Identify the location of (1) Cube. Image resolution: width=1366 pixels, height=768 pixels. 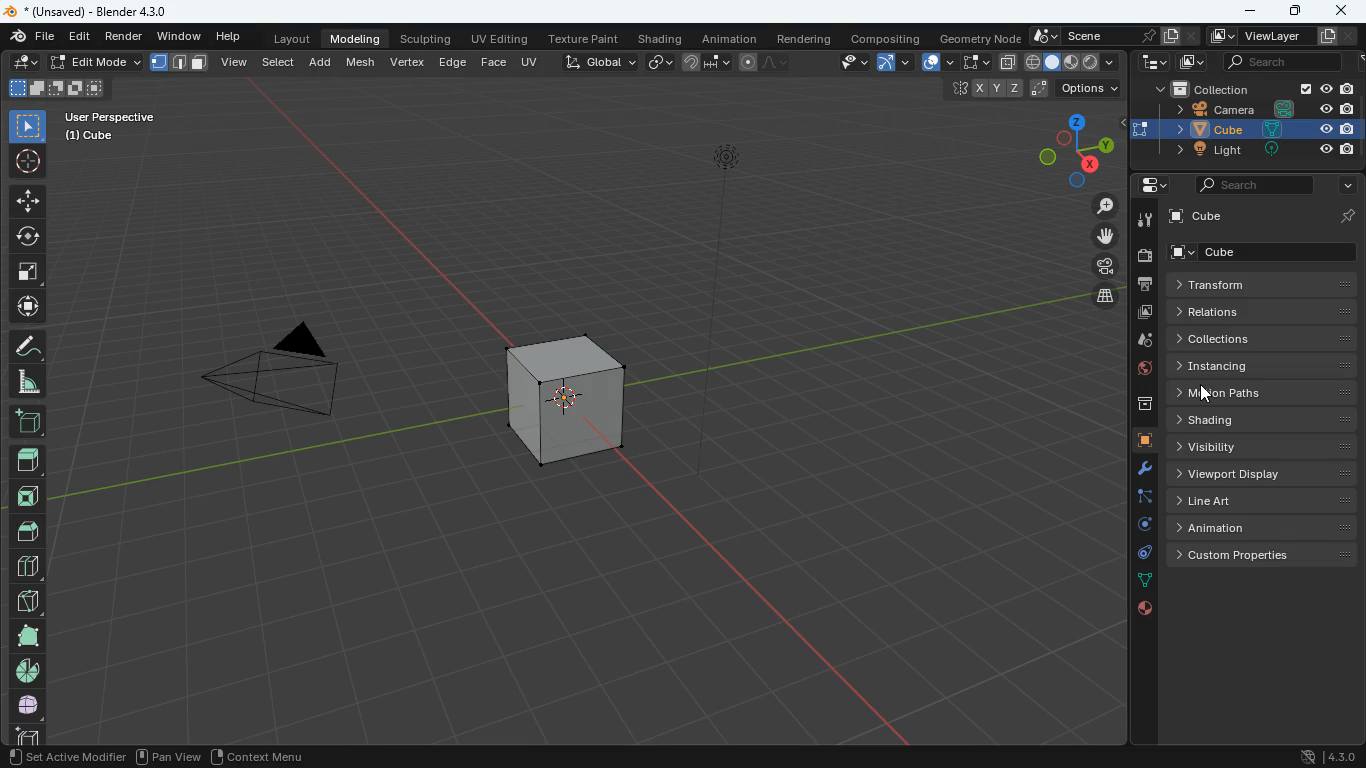
(85, 136).